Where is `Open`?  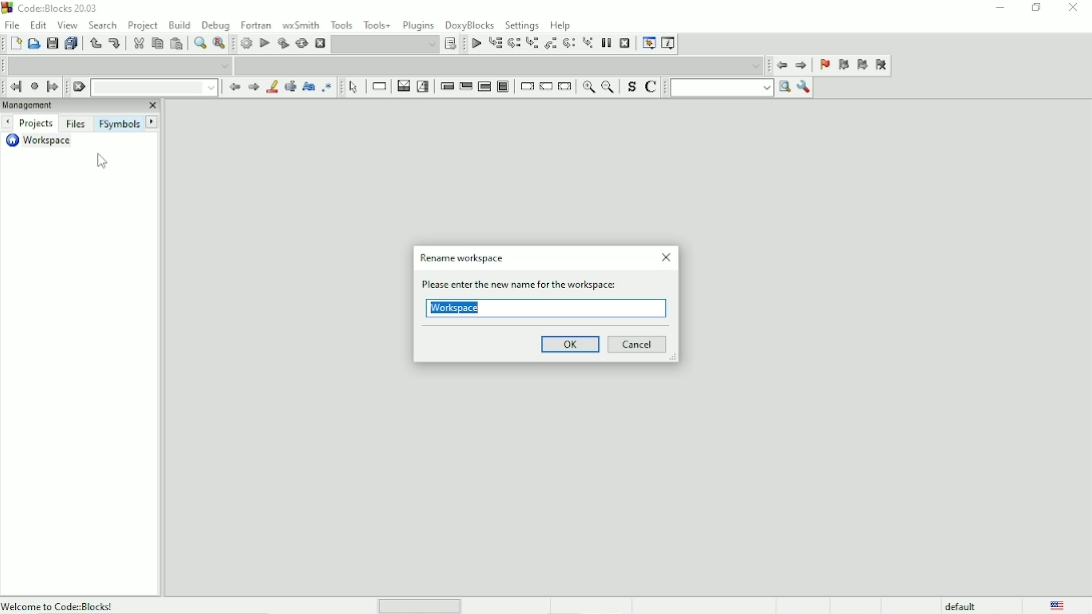 Open is located at coordinates (34, 44).